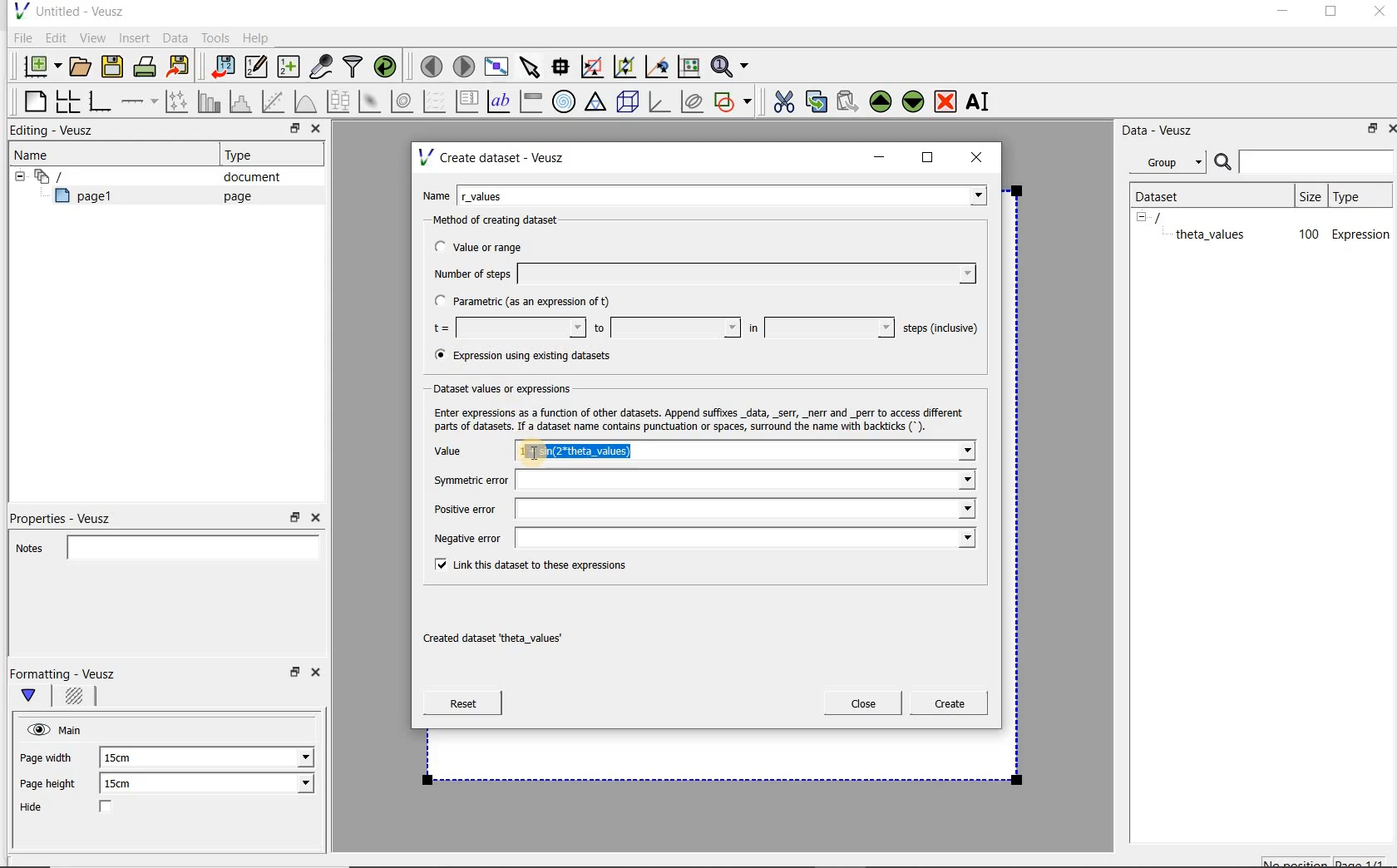 This screenshot has height=868, width=1397. What do you see at coordinates (1212, 234) in the screenshot?
I see `theta_values` at bounding box center [1212, 234].